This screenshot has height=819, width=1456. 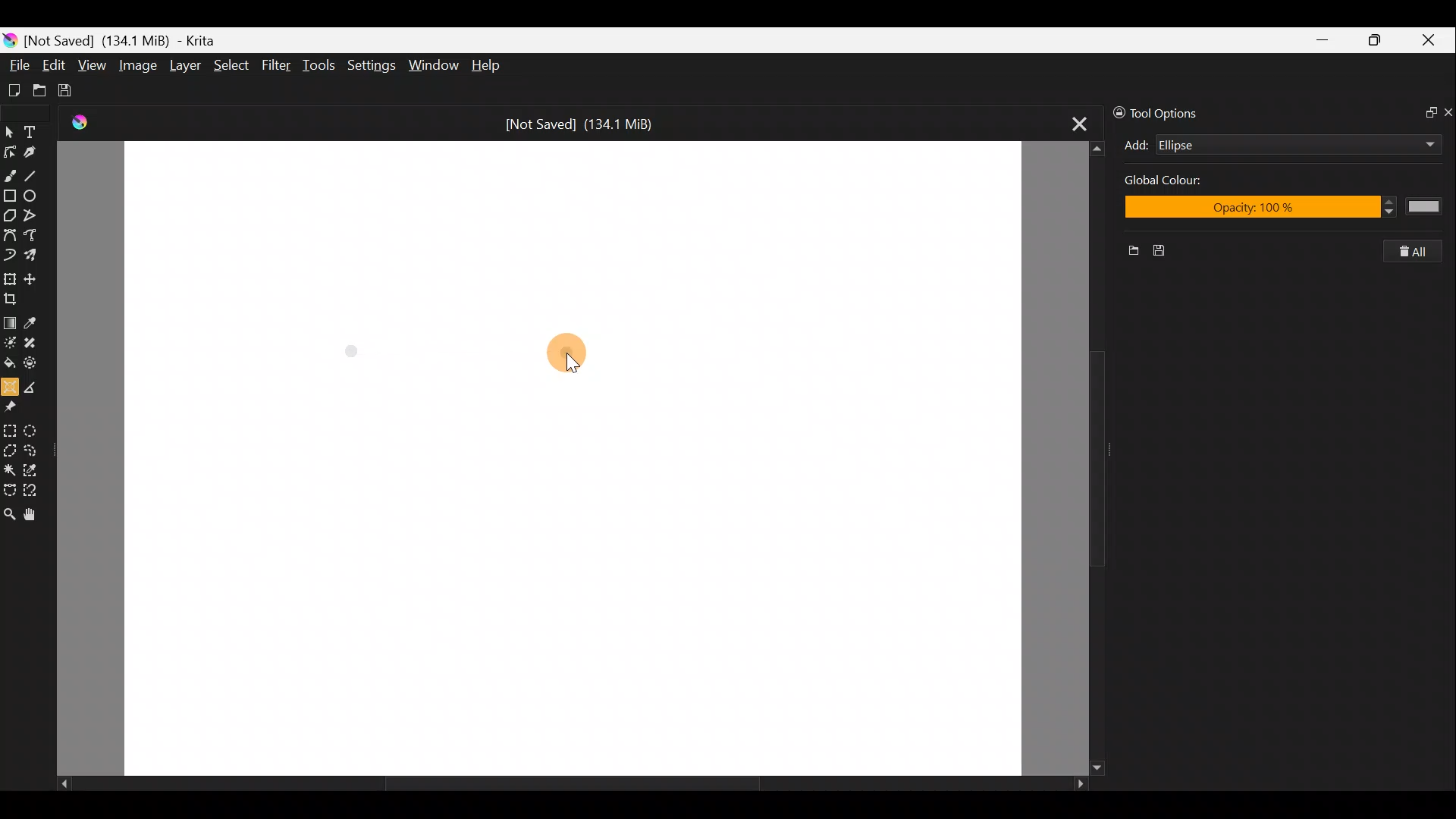 What do you see at coordinates (10, 322) in the screenshot?
I see `Draw a gradient` at bounding box center [10, 322].